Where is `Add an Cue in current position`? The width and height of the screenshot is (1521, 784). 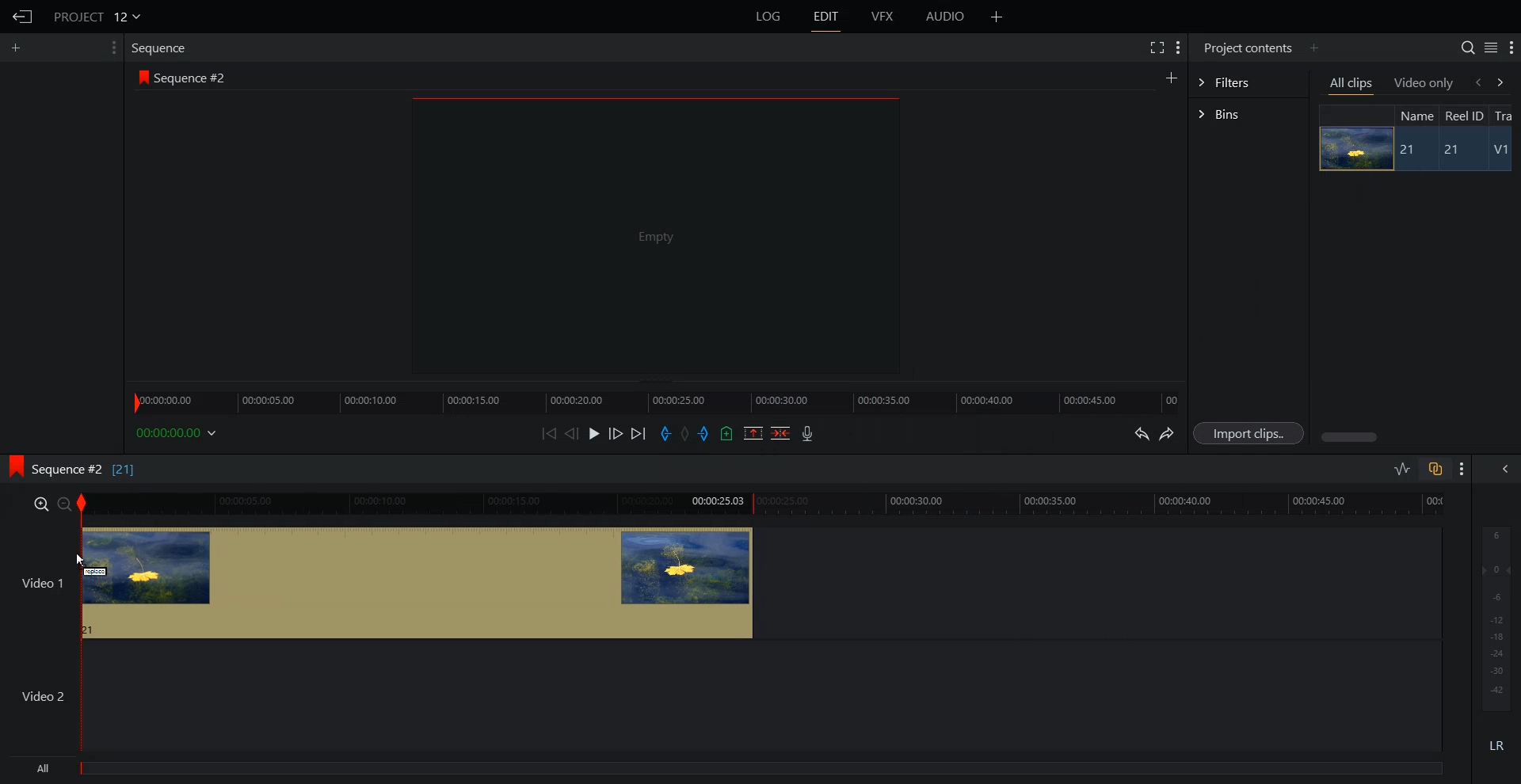 Add an Cue in current position is located at coordinates (727, 433).